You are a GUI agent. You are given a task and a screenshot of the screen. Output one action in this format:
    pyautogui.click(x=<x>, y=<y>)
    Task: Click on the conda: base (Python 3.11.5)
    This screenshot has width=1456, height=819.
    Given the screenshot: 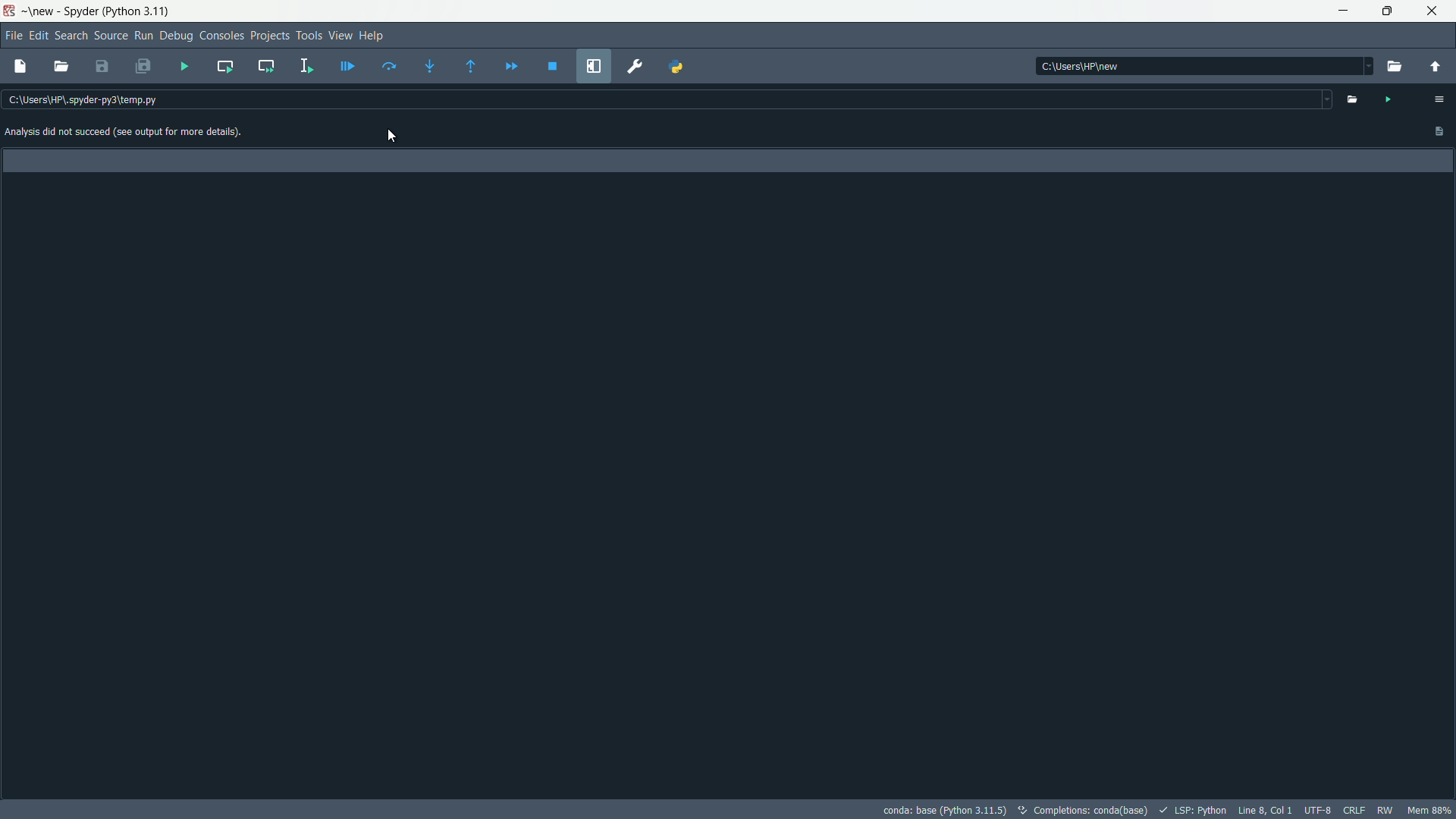 What is the action you would take?
    pyautogui.click(x=943, y=809)
    